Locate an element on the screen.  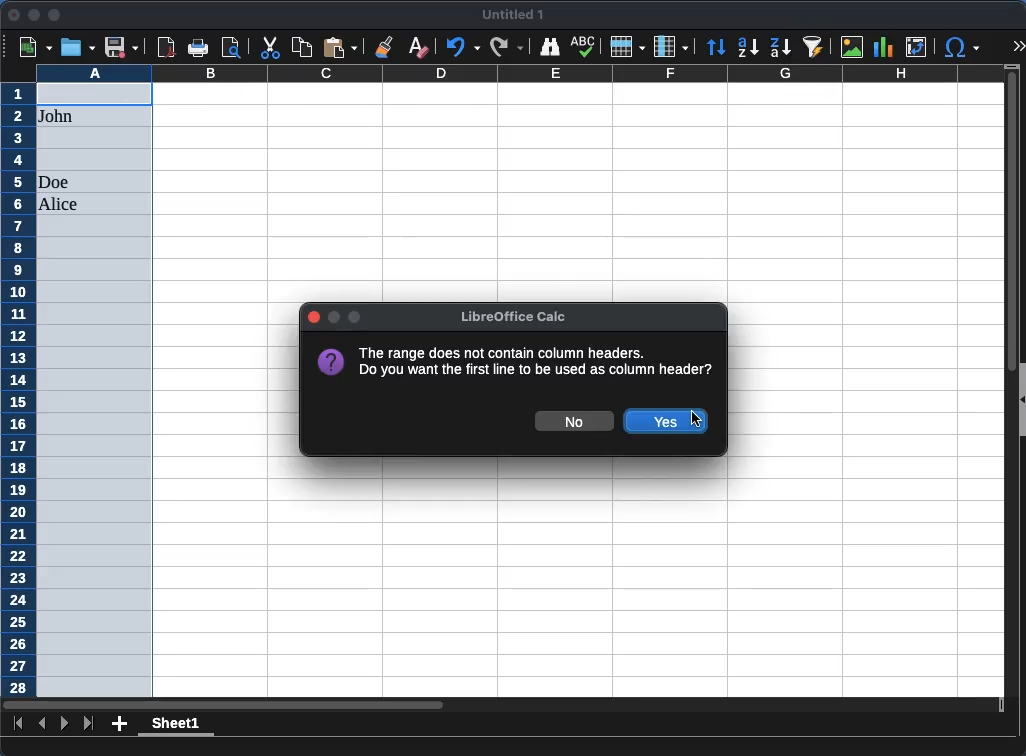
save is located at coordinates (120, 47).